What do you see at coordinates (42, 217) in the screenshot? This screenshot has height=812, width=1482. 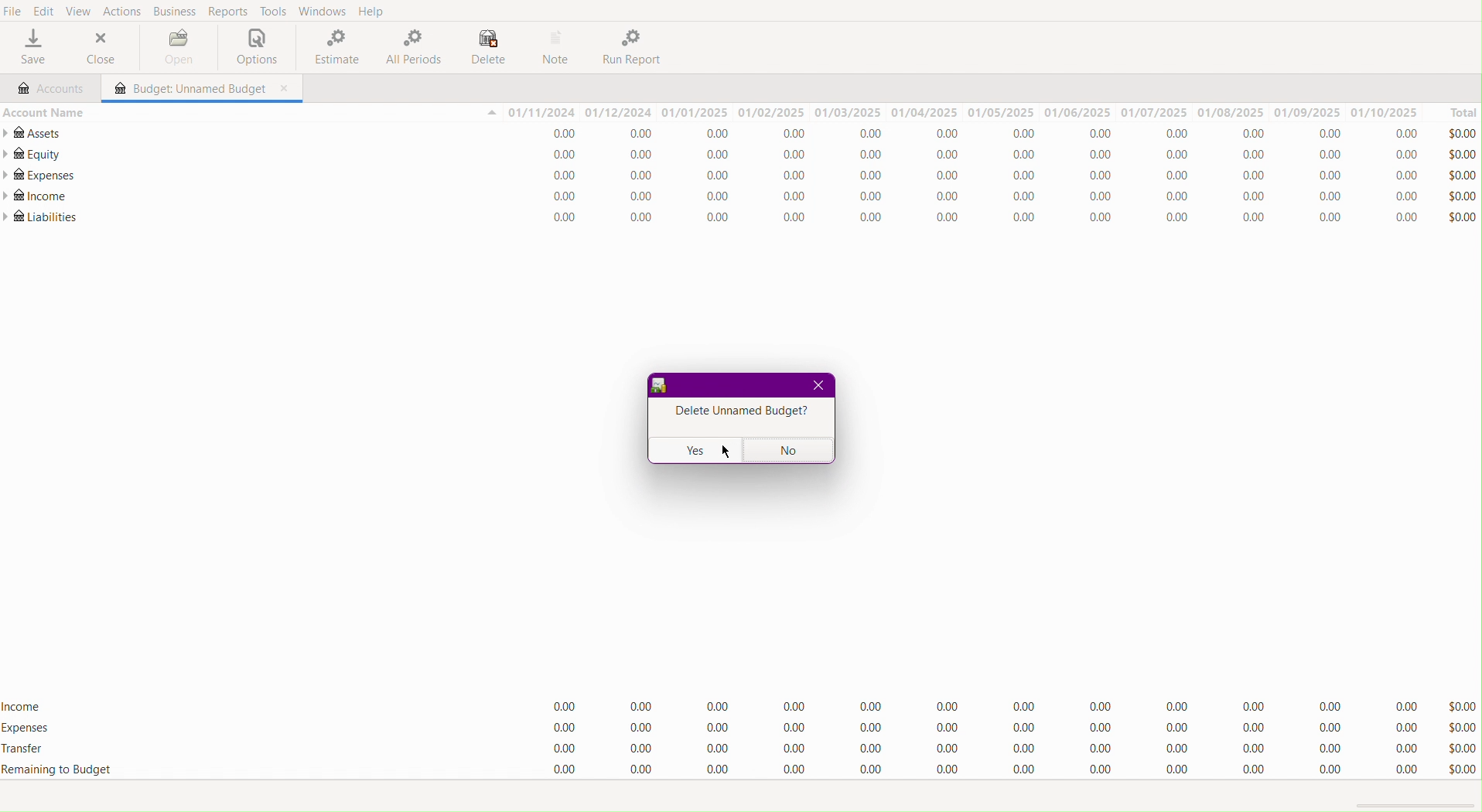 I see `Liabilities` at bounding box center [42, 217].